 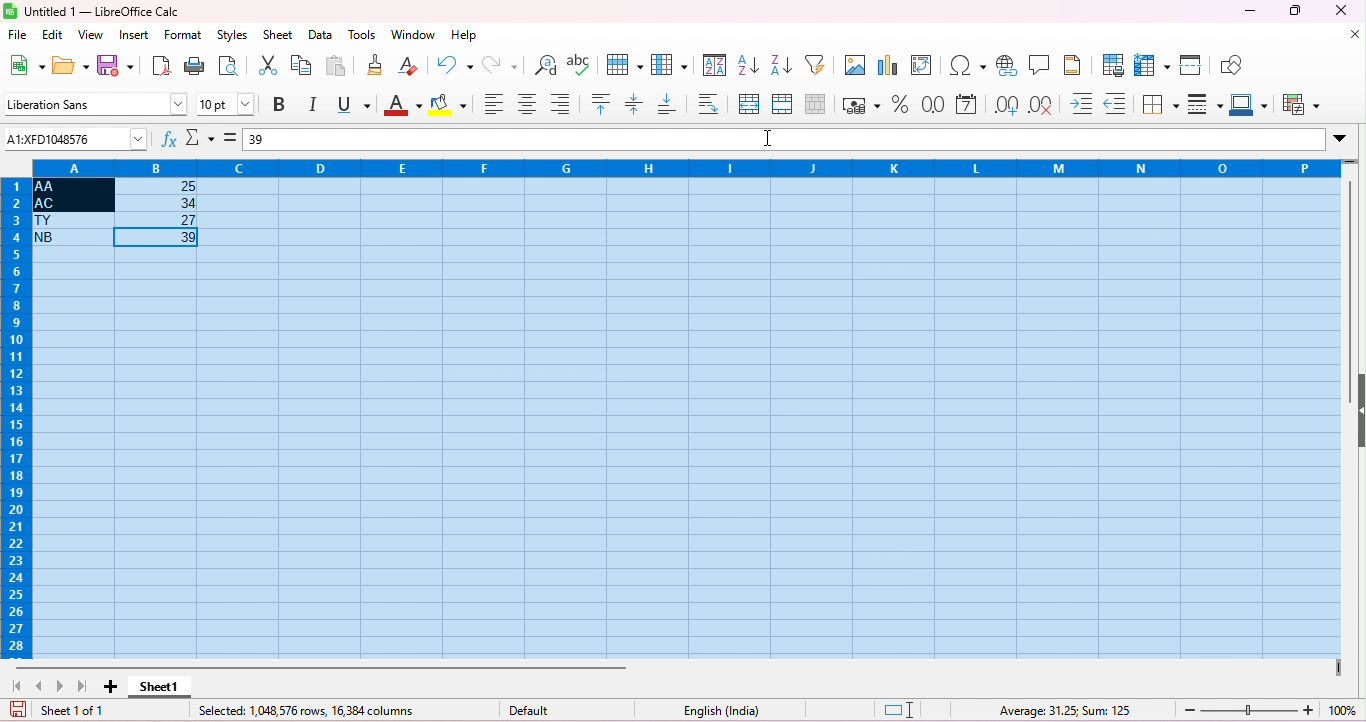 What do you see at coordinates (546, 65) in the screenshot?
I see `find and replace` at bounding box center [546, 65].